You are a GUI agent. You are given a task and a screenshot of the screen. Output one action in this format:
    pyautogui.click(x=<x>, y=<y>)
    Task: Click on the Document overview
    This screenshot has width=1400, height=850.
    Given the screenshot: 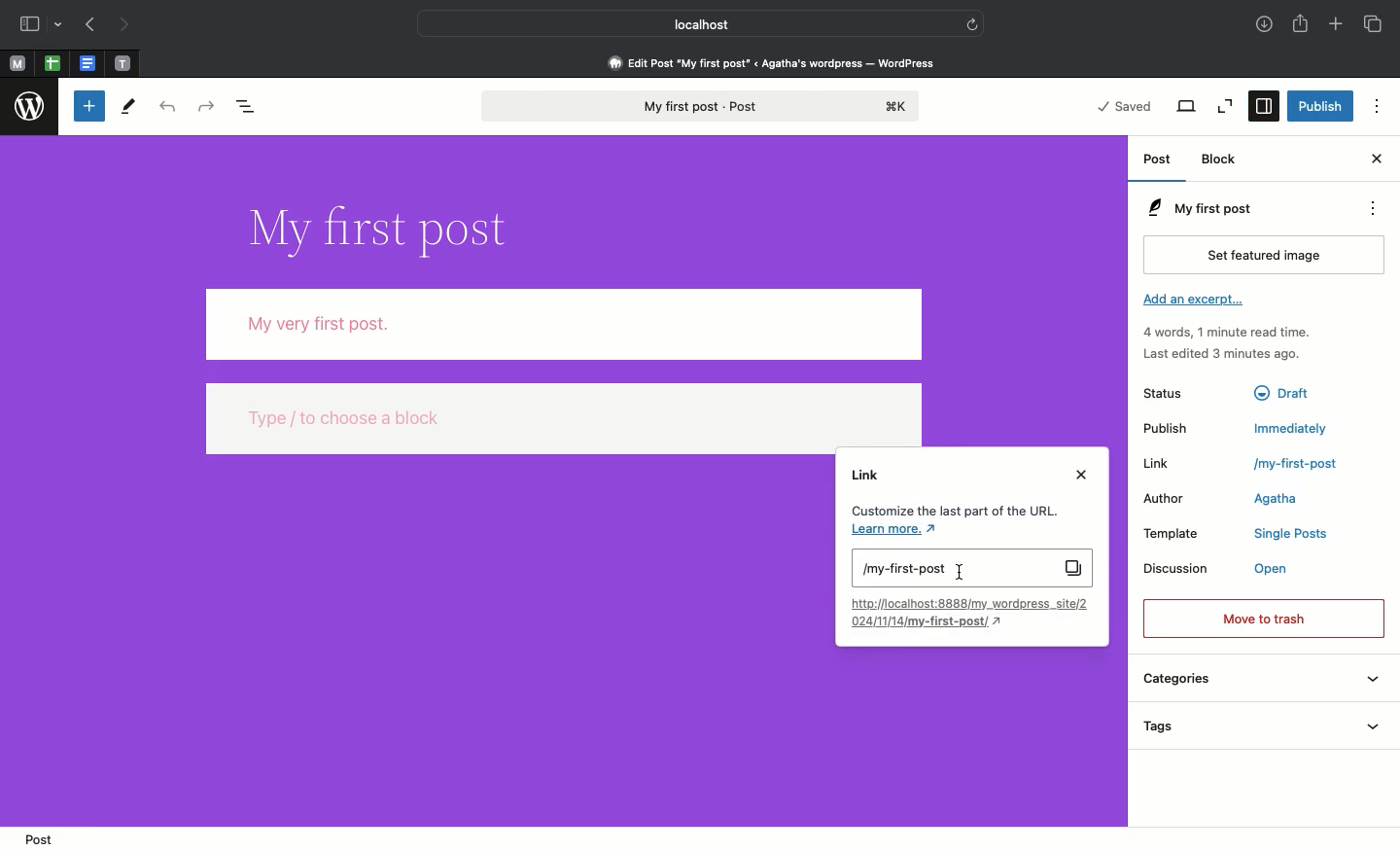 What is the action you would take?
    pyautogui.click(x=250, y=104)
    